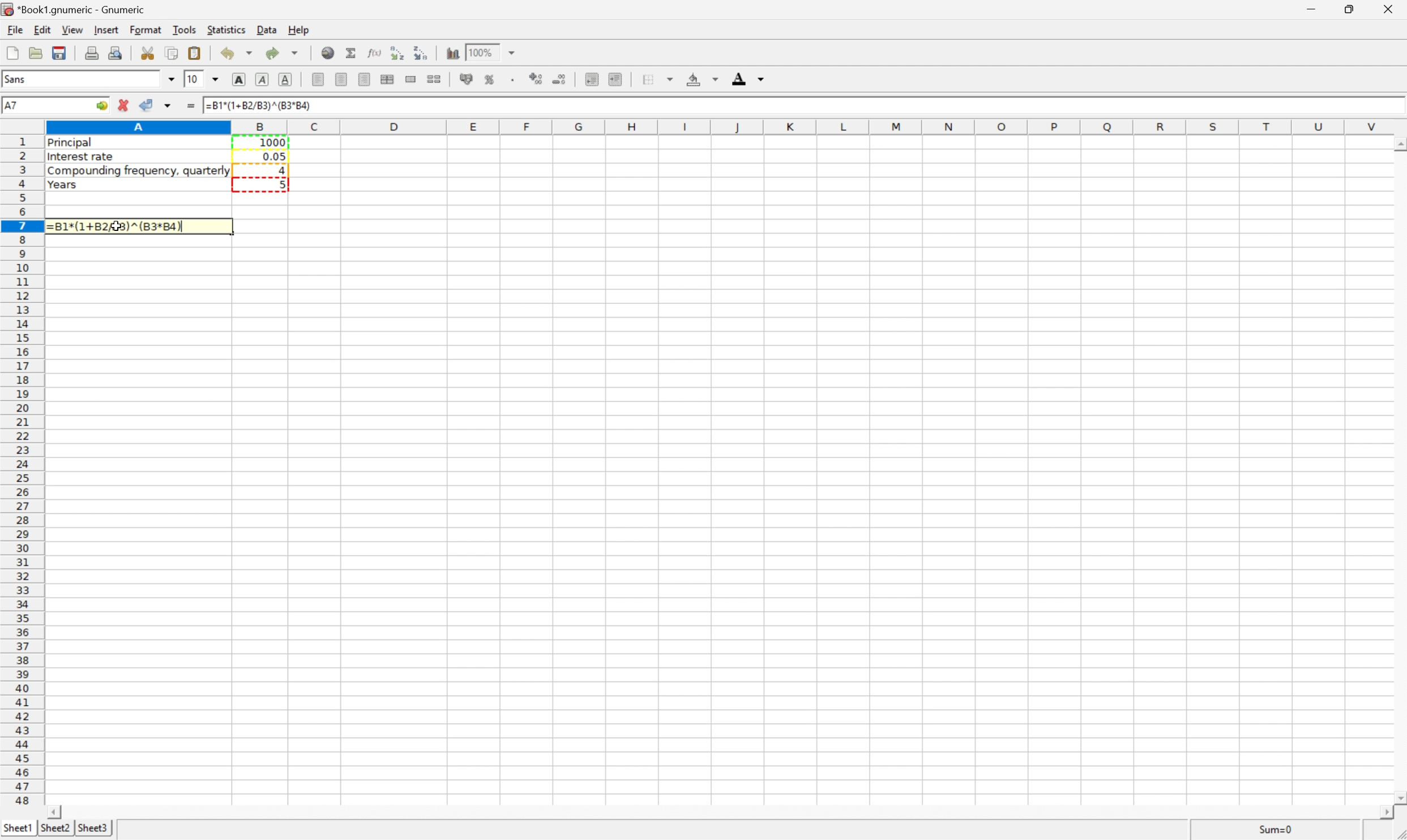 The width and height of the screenshot is (1407, 840). Describe the element at coordinates (189, 107) in the screenshot. I see `enter formula` at that location.